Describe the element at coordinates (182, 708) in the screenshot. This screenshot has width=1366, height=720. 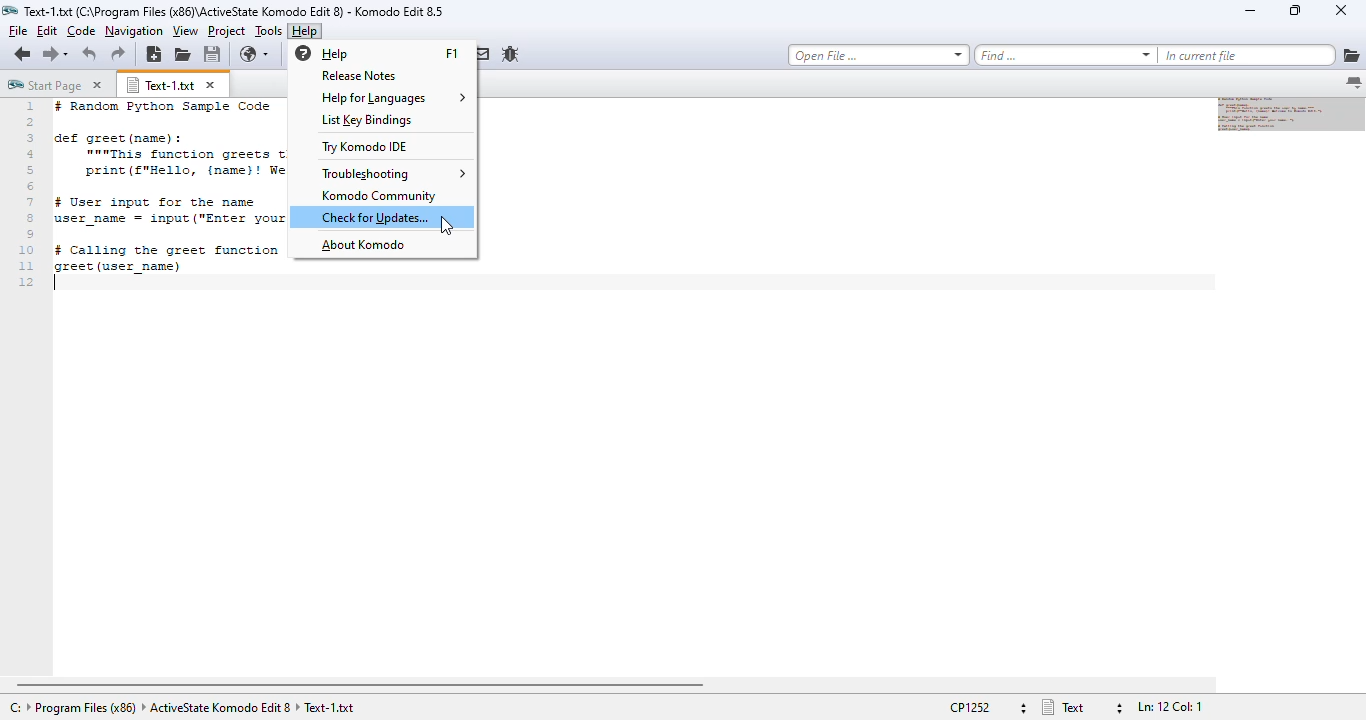
I see `text-1 program files` at that location.